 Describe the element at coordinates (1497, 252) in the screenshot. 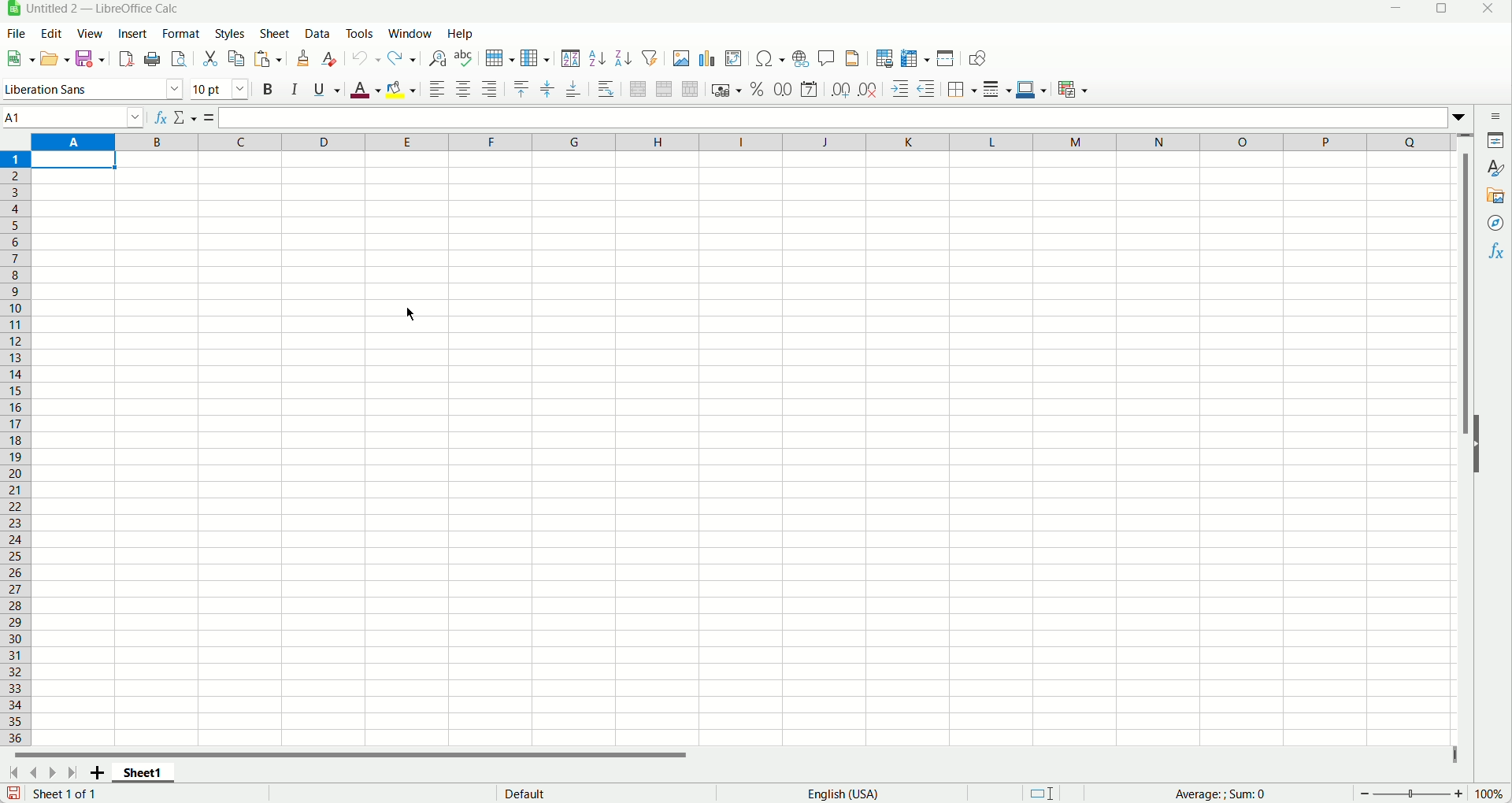

I see `Functions` at that location.